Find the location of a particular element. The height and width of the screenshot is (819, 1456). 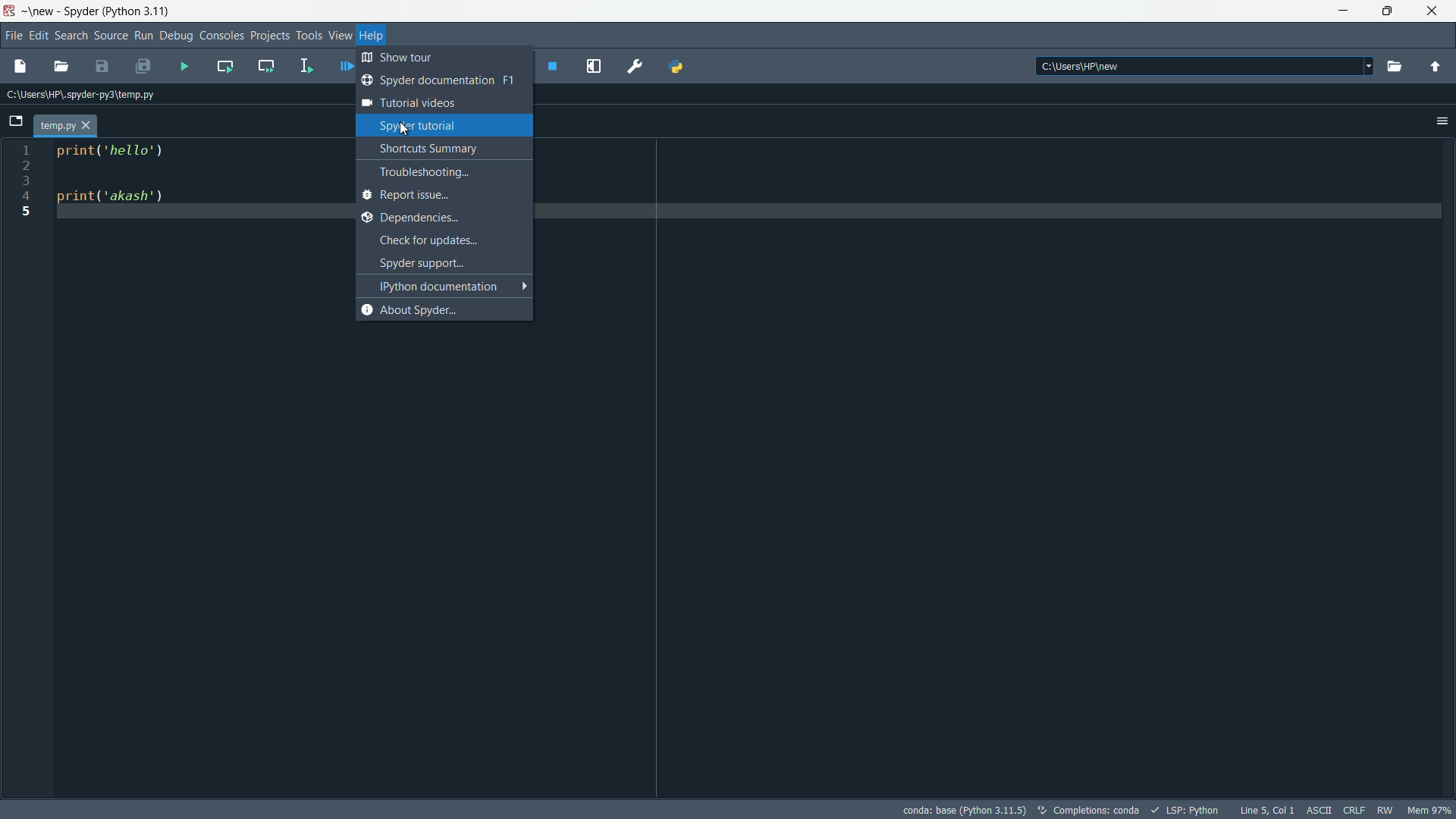

debug file is located at coordinates (340, 64).